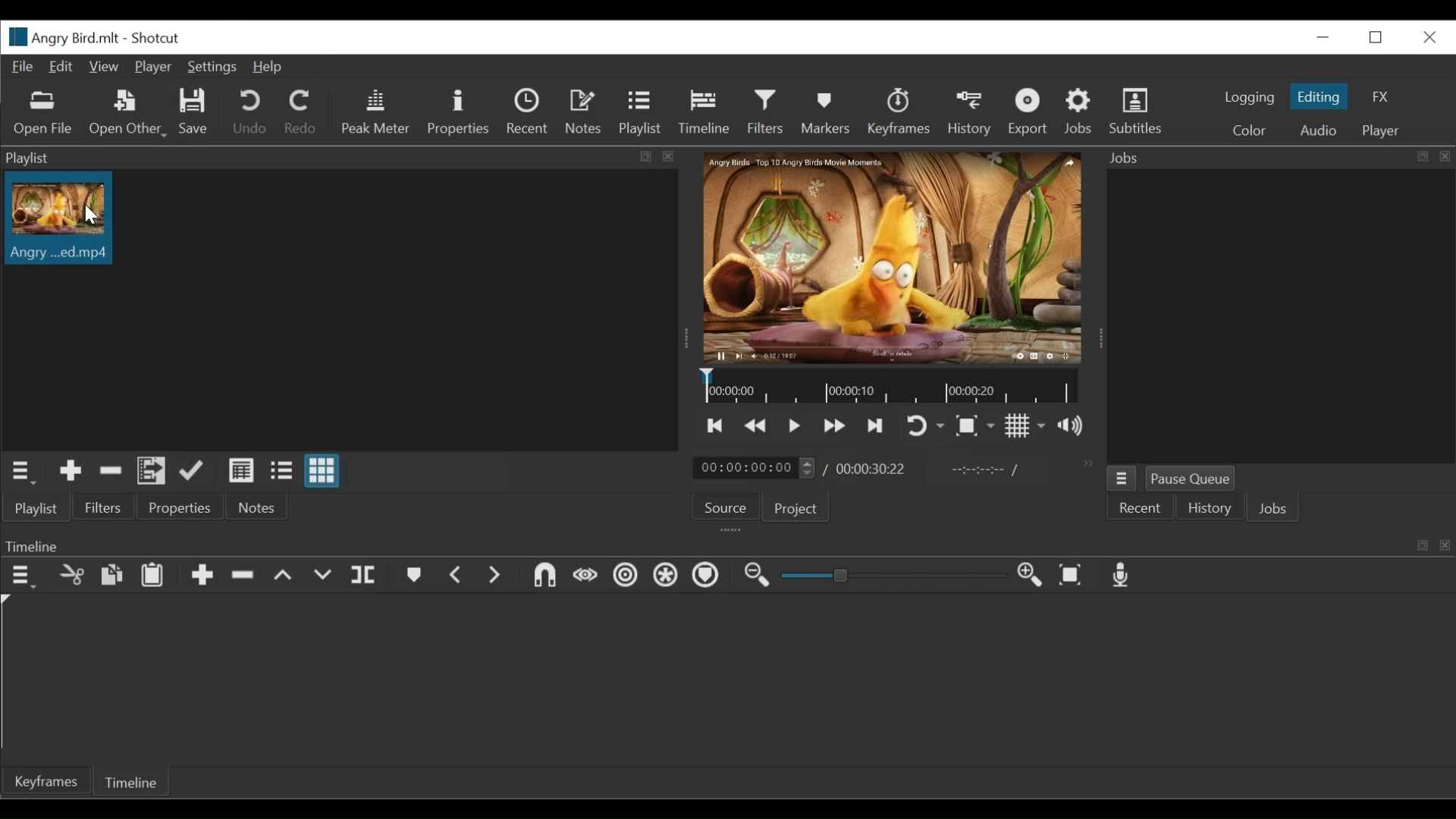  I want to click on Settings, so click(212, 66).